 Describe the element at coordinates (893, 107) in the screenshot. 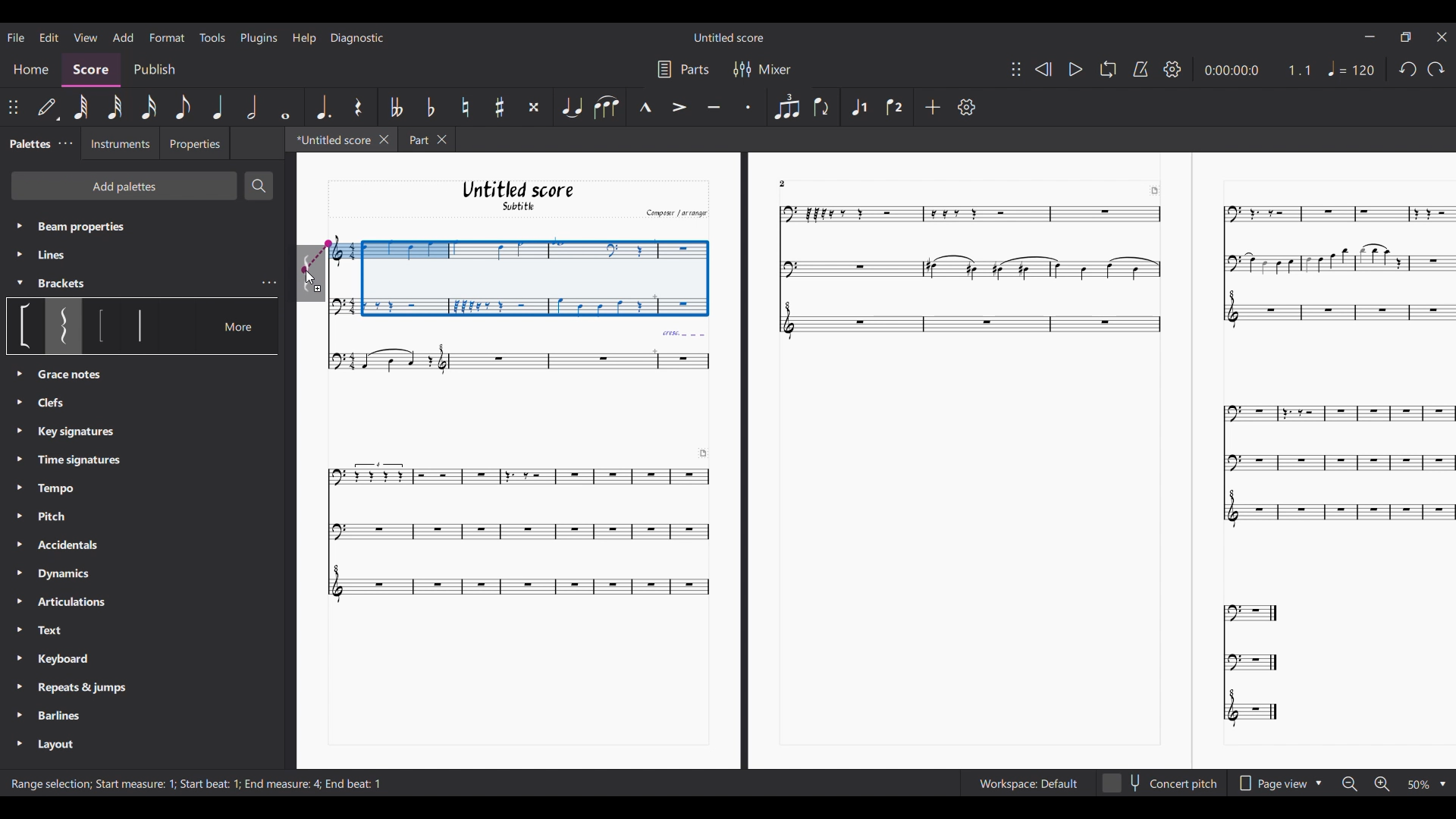

I see `Voice 2` at that location.